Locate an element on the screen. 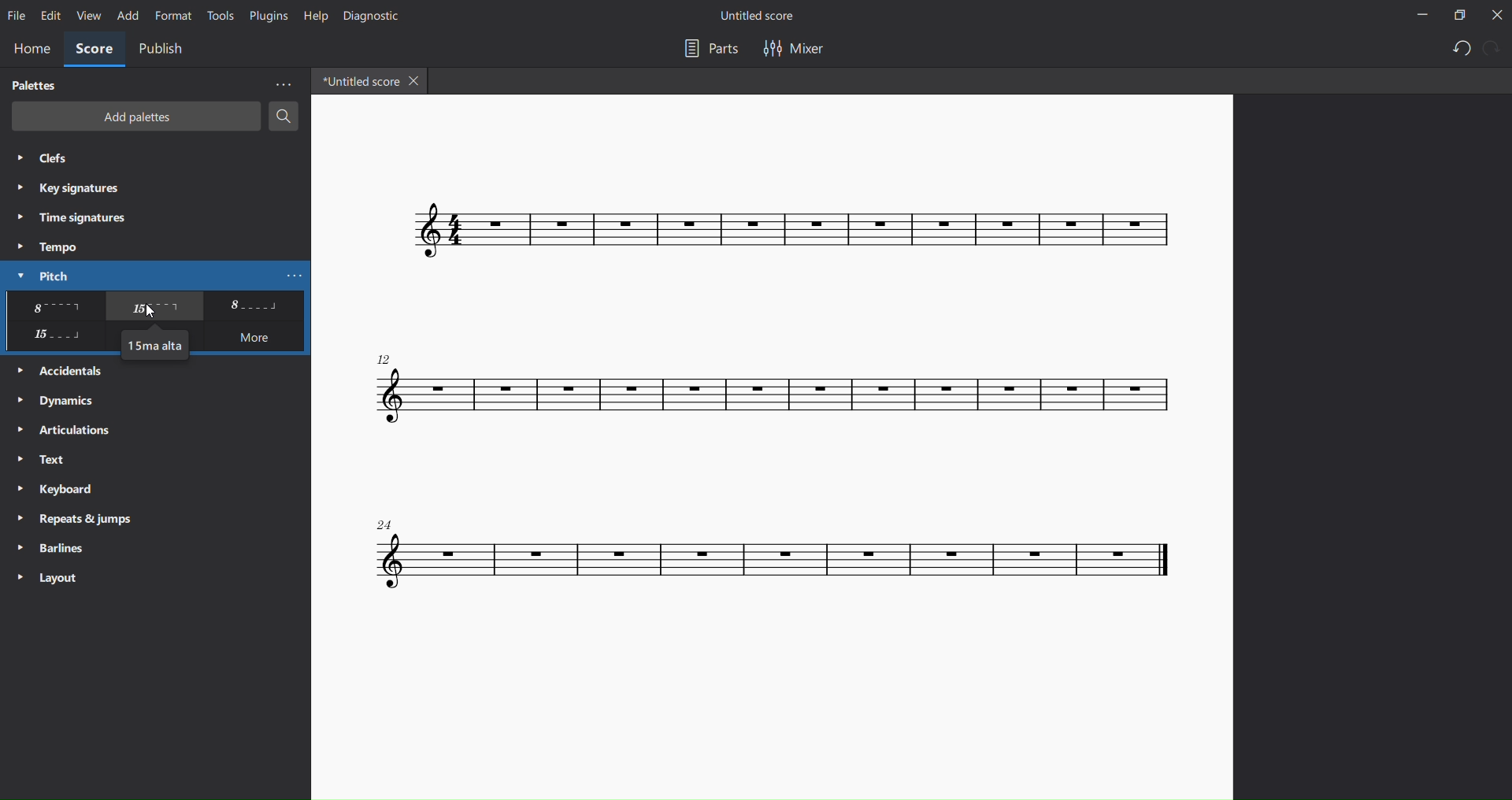  search is located at coordinates (284, 117).